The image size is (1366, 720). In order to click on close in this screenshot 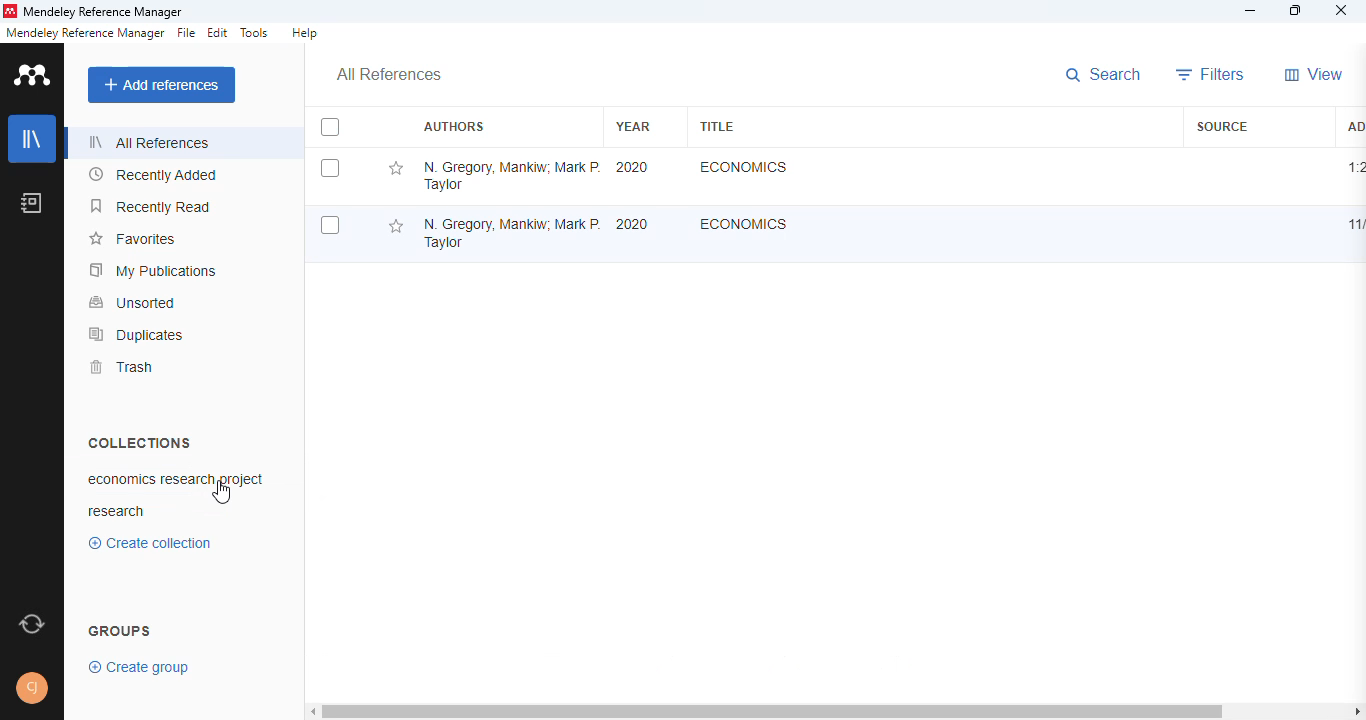, I will do `click(1341, 12)`.